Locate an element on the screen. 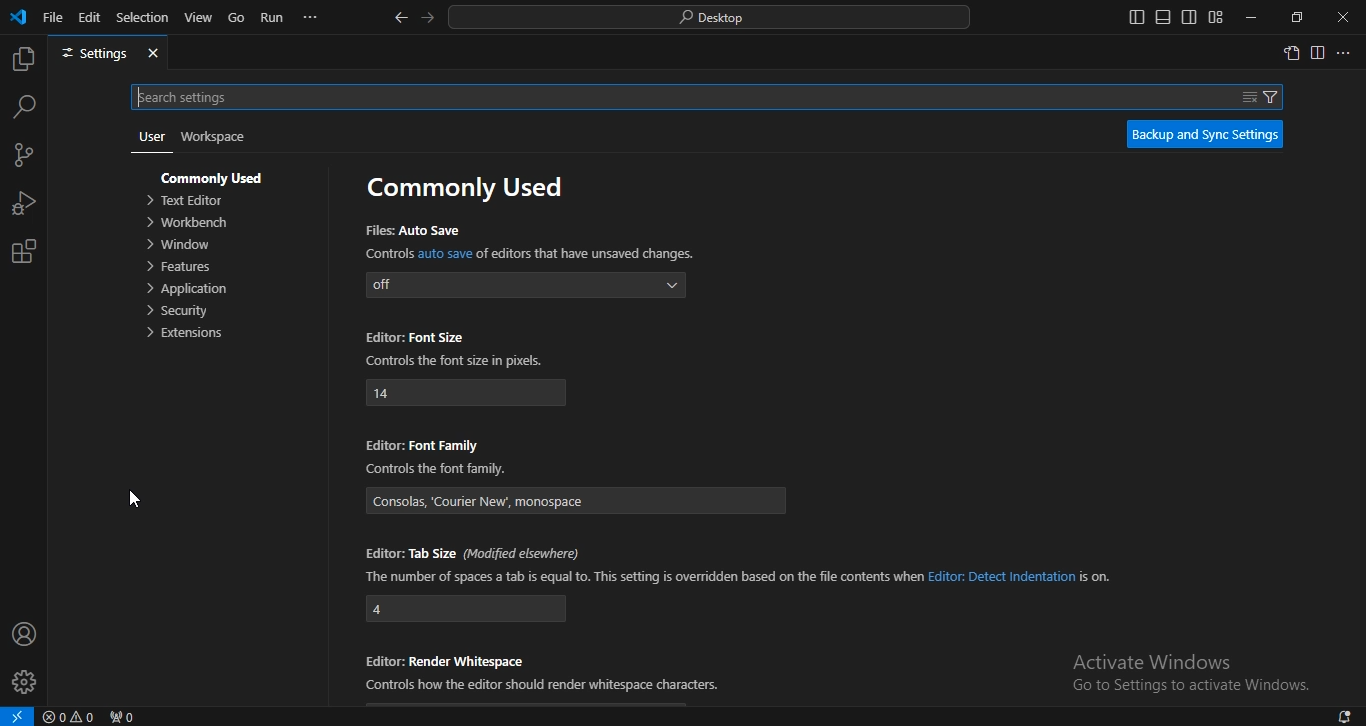  more actions is located at coordinates (1346, 53).